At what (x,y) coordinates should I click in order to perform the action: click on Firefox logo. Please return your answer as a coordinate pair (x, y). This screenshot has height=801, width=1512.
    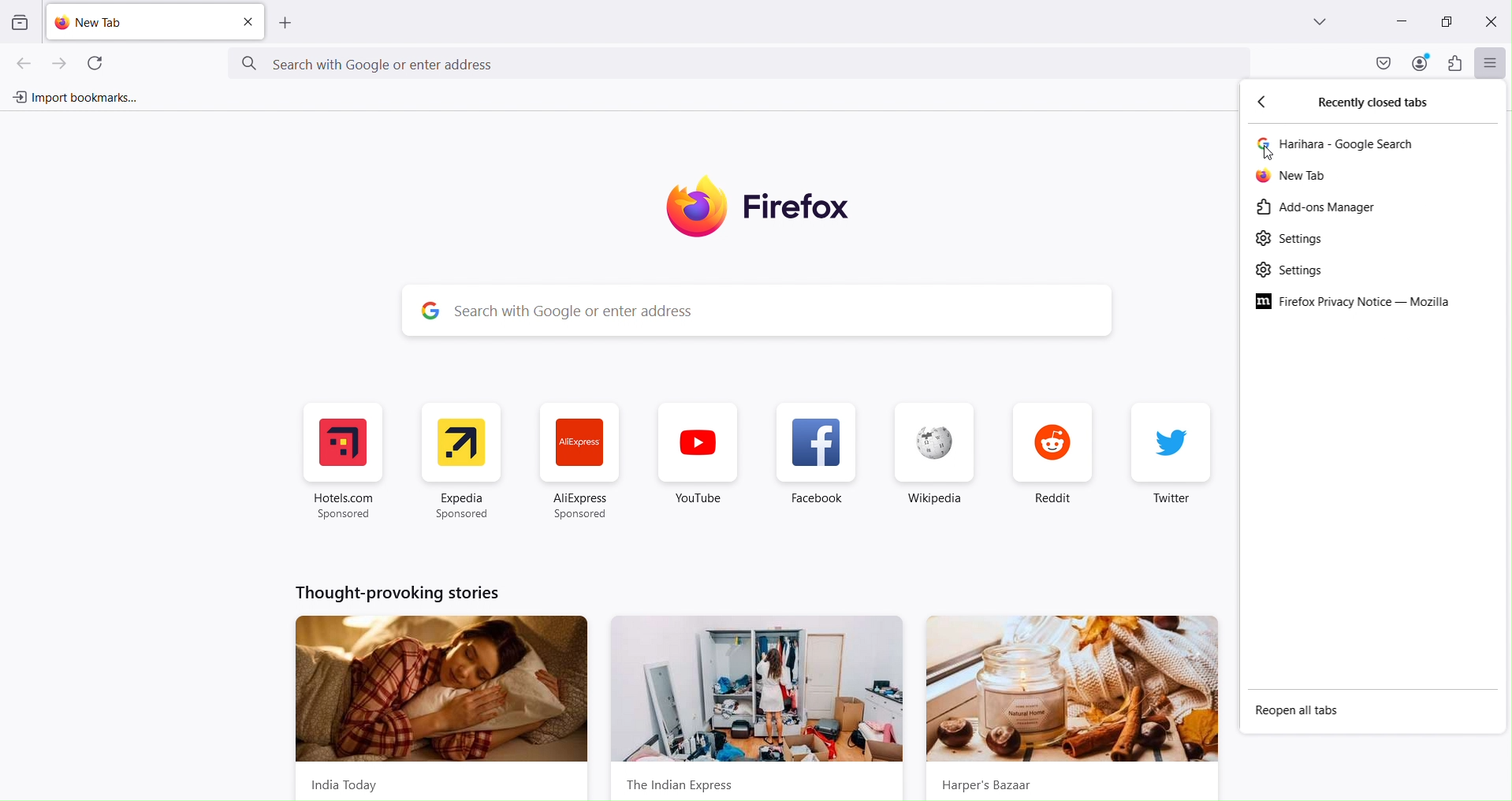
    Looking at the image, I should click on (769, 207).